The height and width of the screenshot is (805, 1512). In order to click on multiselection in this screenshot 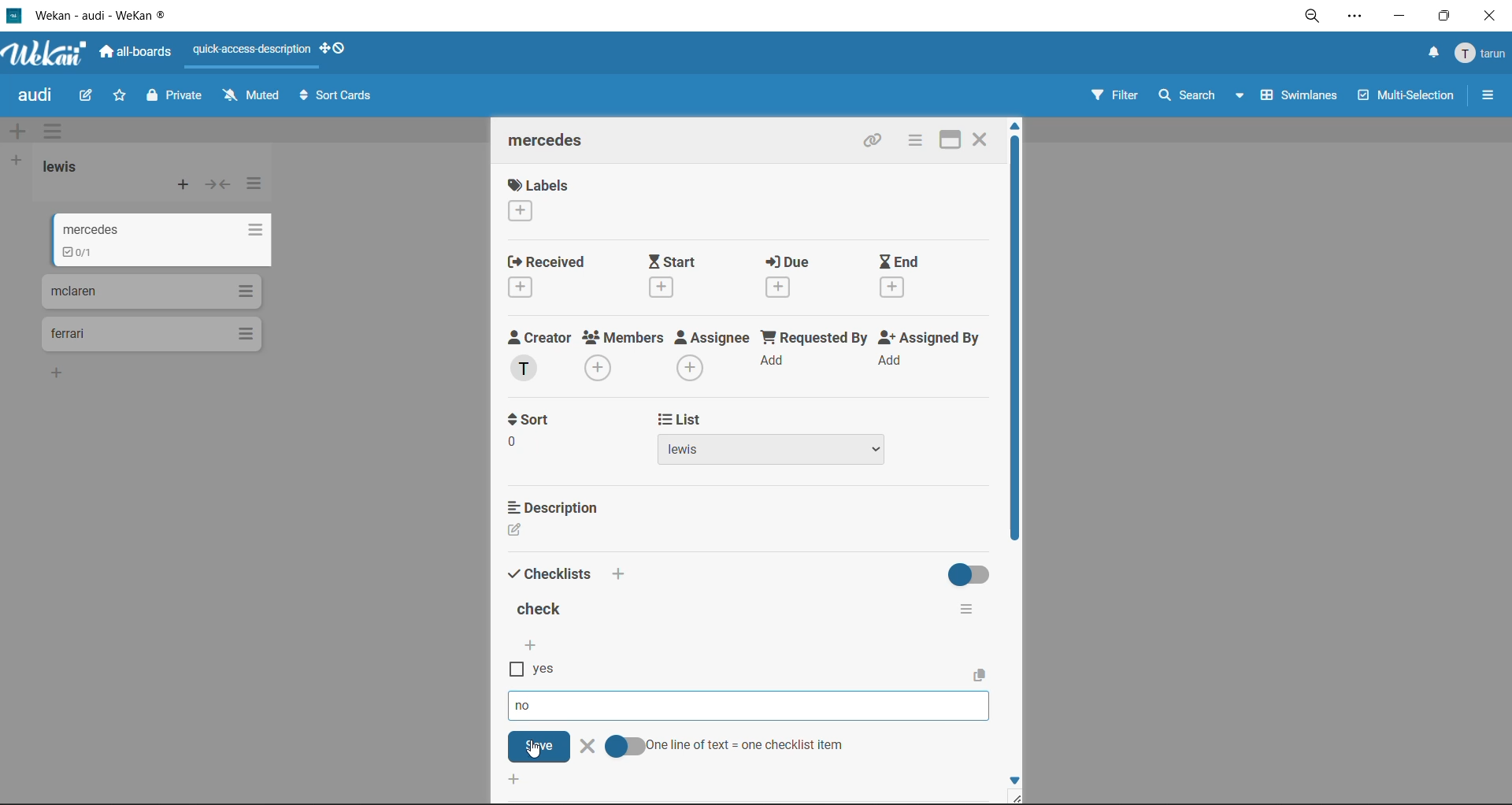, I will do `click(1407, 98)`.